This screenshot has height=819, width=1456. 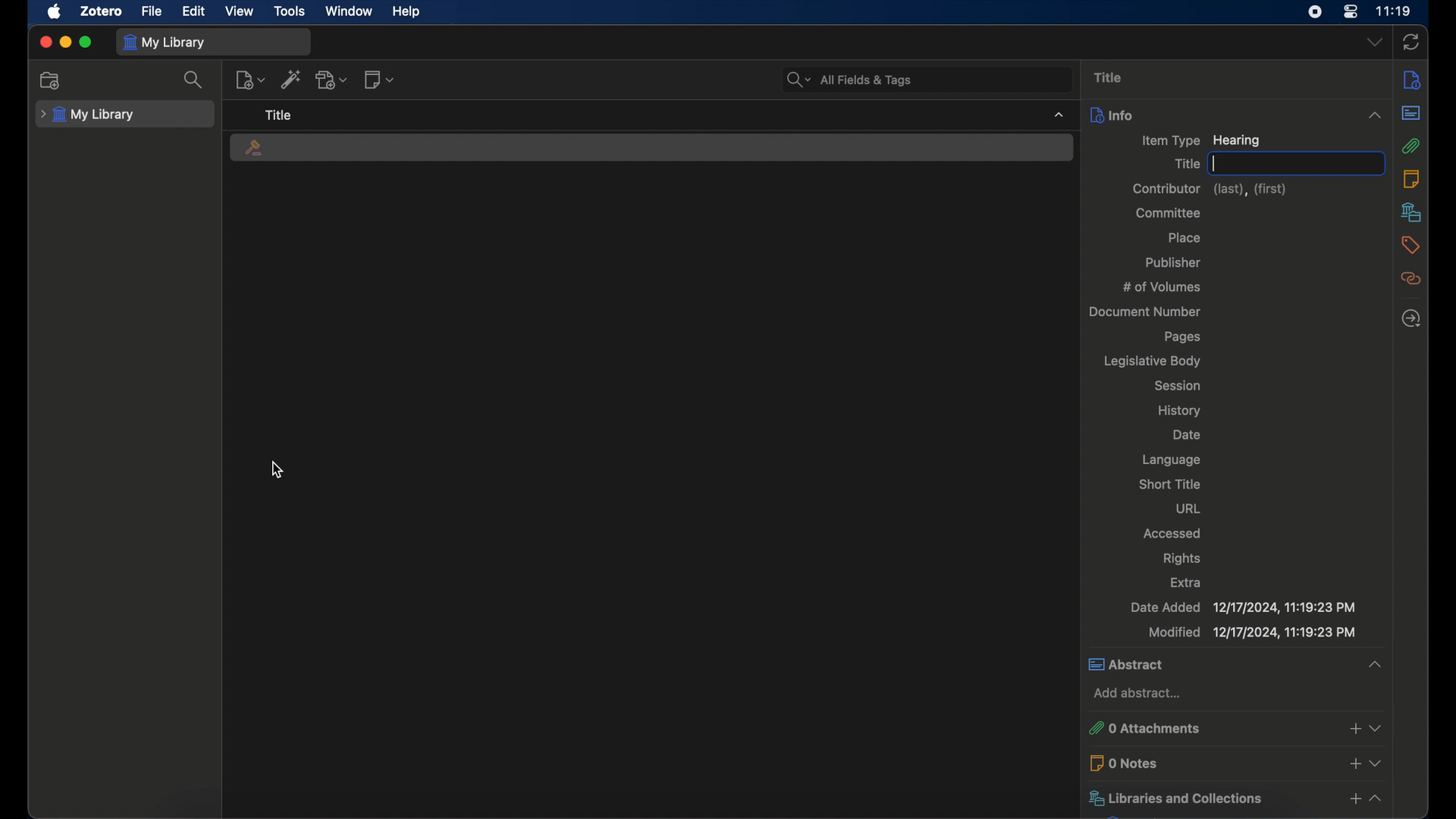 I want to click on tools, so click(x=290, y=10).